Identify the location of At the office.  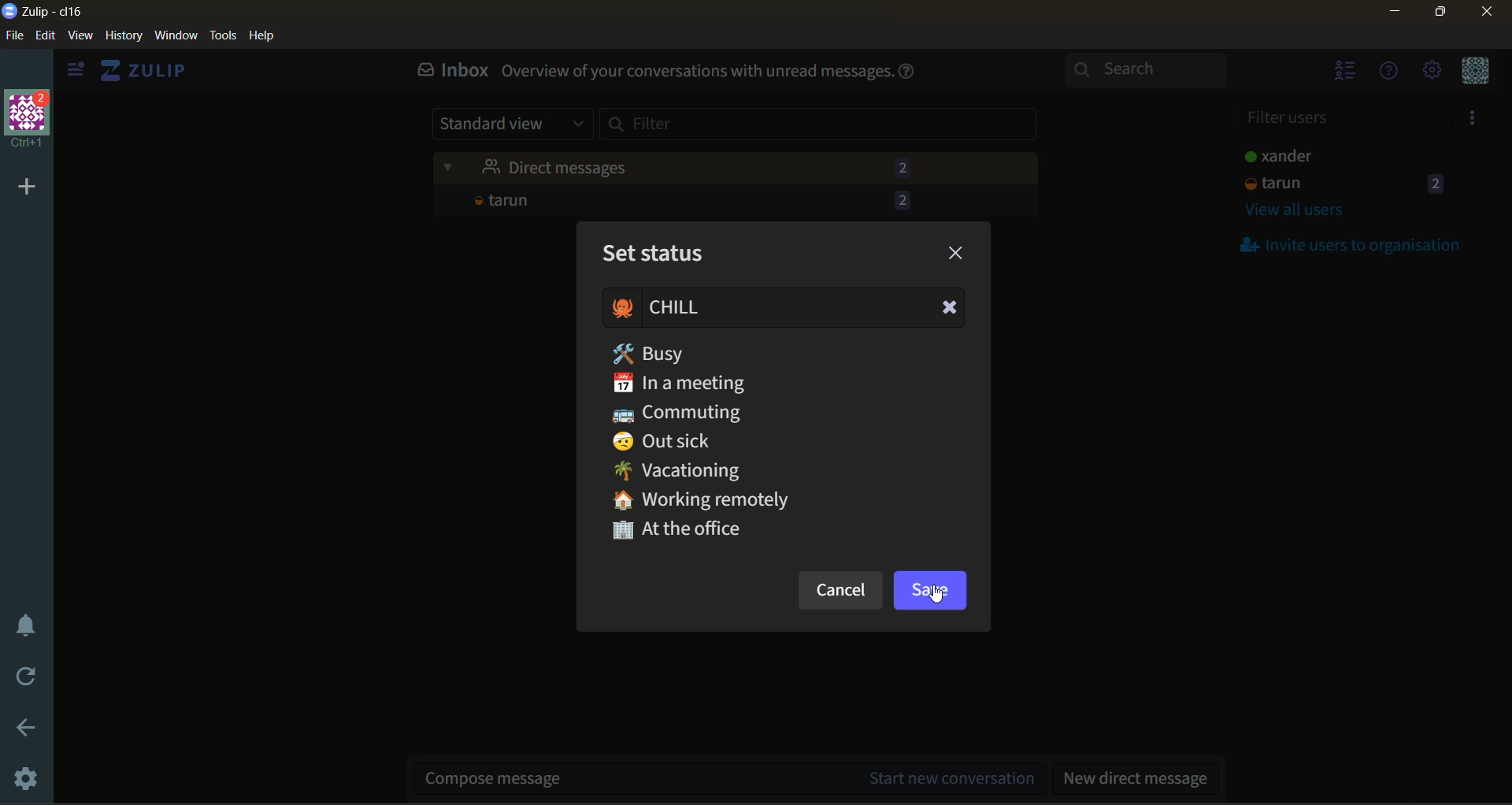
(687, 536).